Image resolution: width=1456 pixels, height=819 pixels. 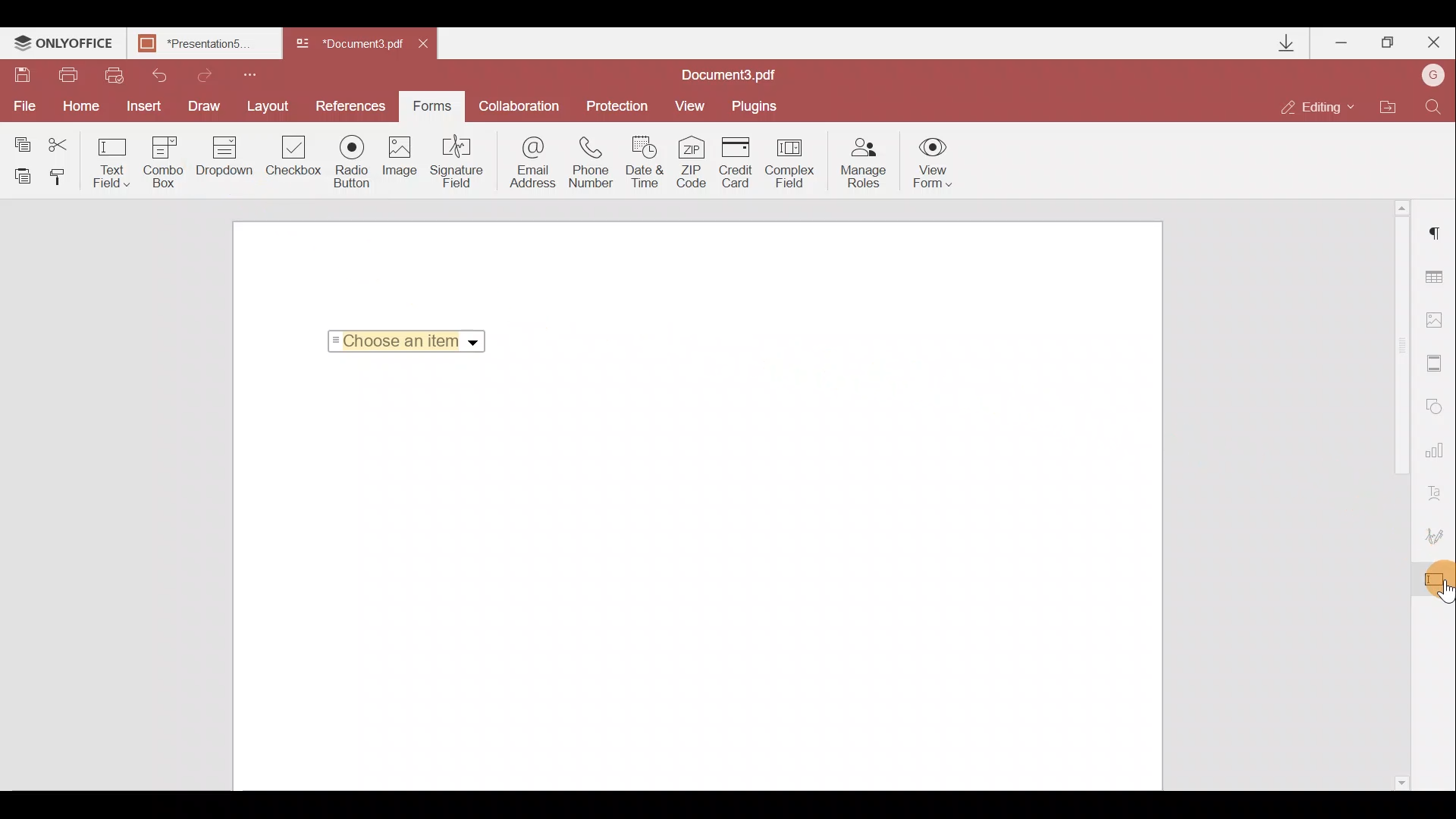 What do you see at coordinates (695, 162) in the screenshot?
I see `ZIP code` at bounding box center [695, 162].